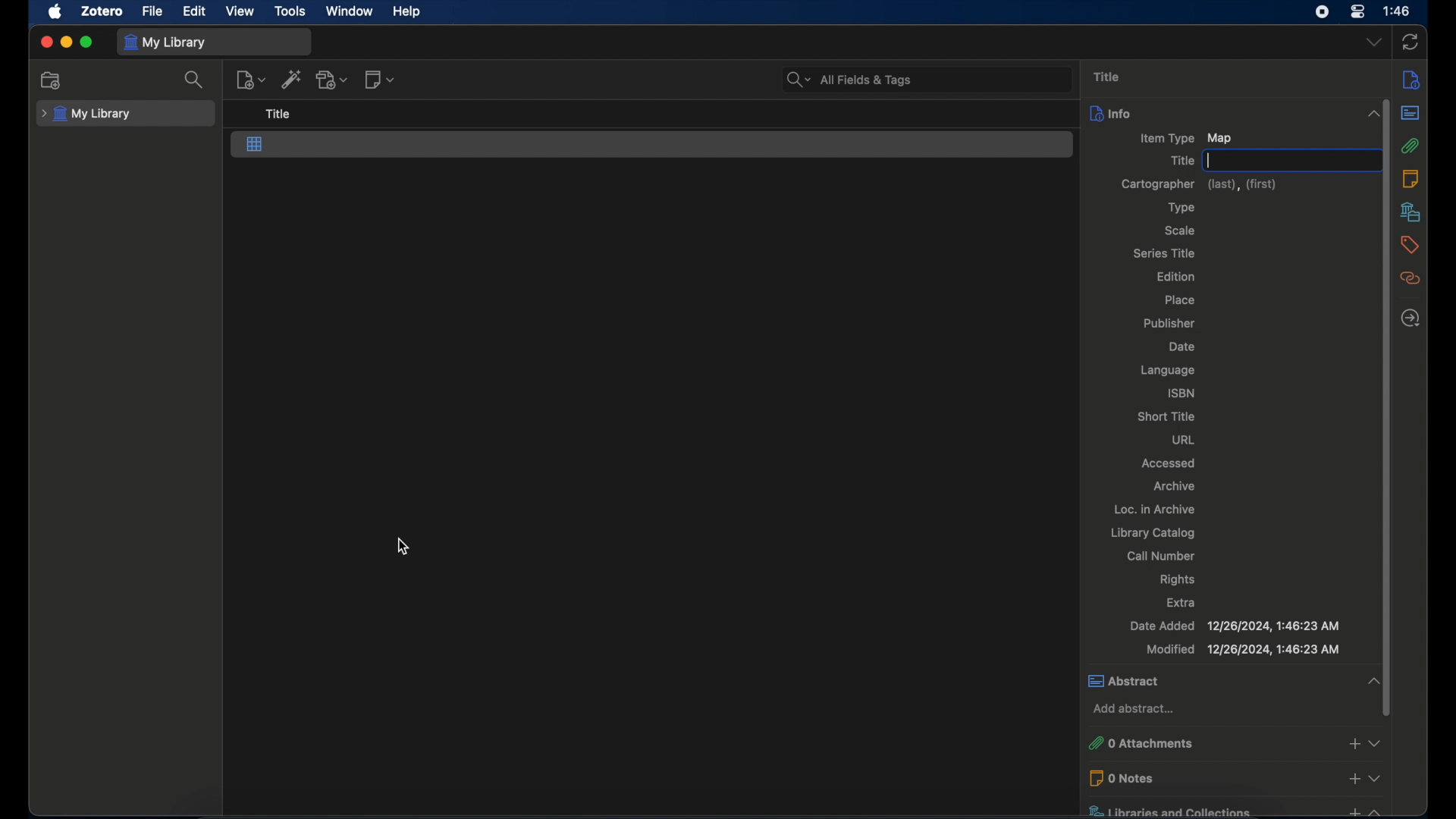 The height and width of the screenshot is (819, 1456). Describe the element at coordinates (1185, 603) in the screenshot. I see `extra` at that location.